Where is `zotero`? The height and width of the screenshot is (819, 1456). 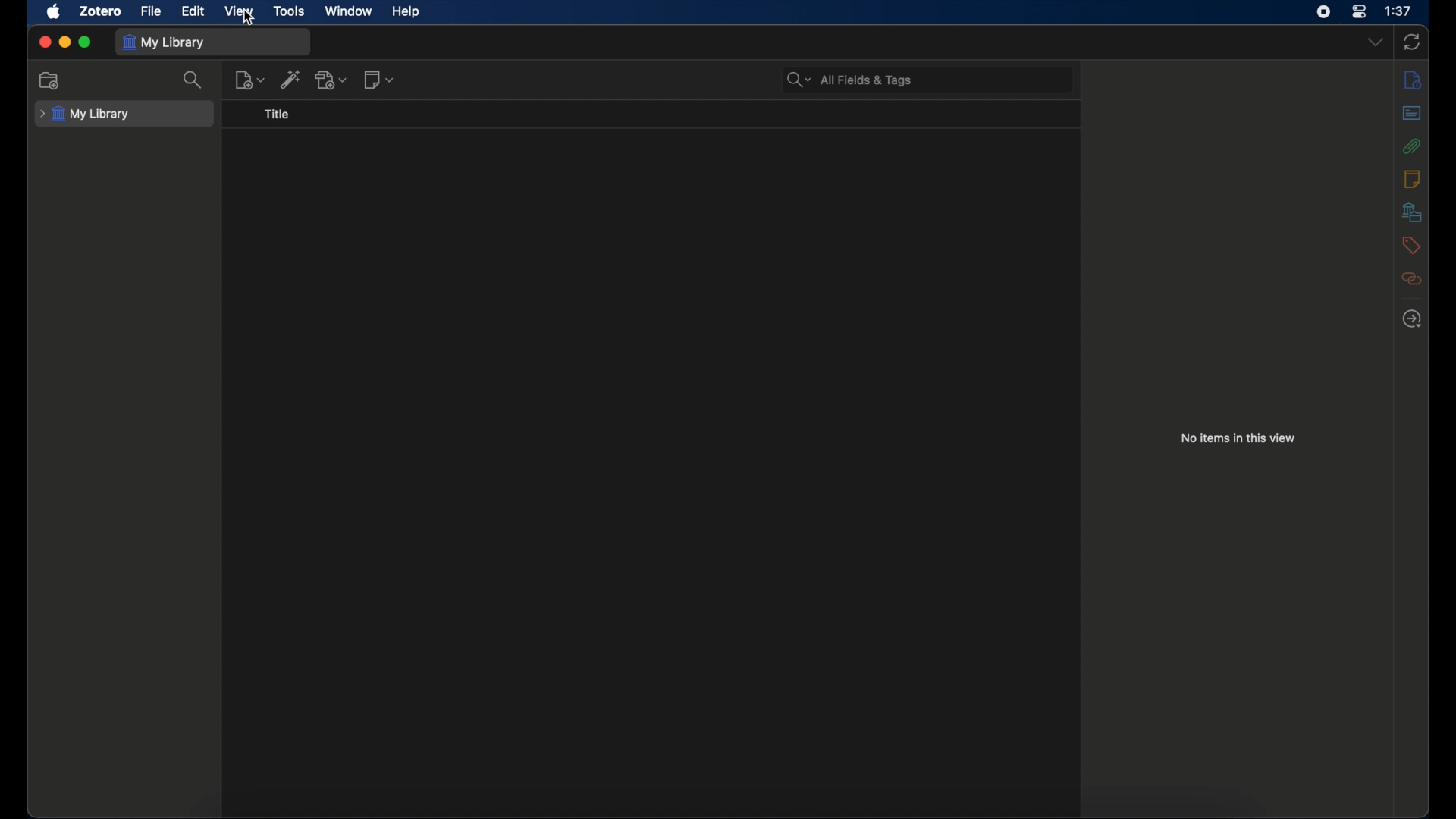 zotero is located at coordinates (102, 11).